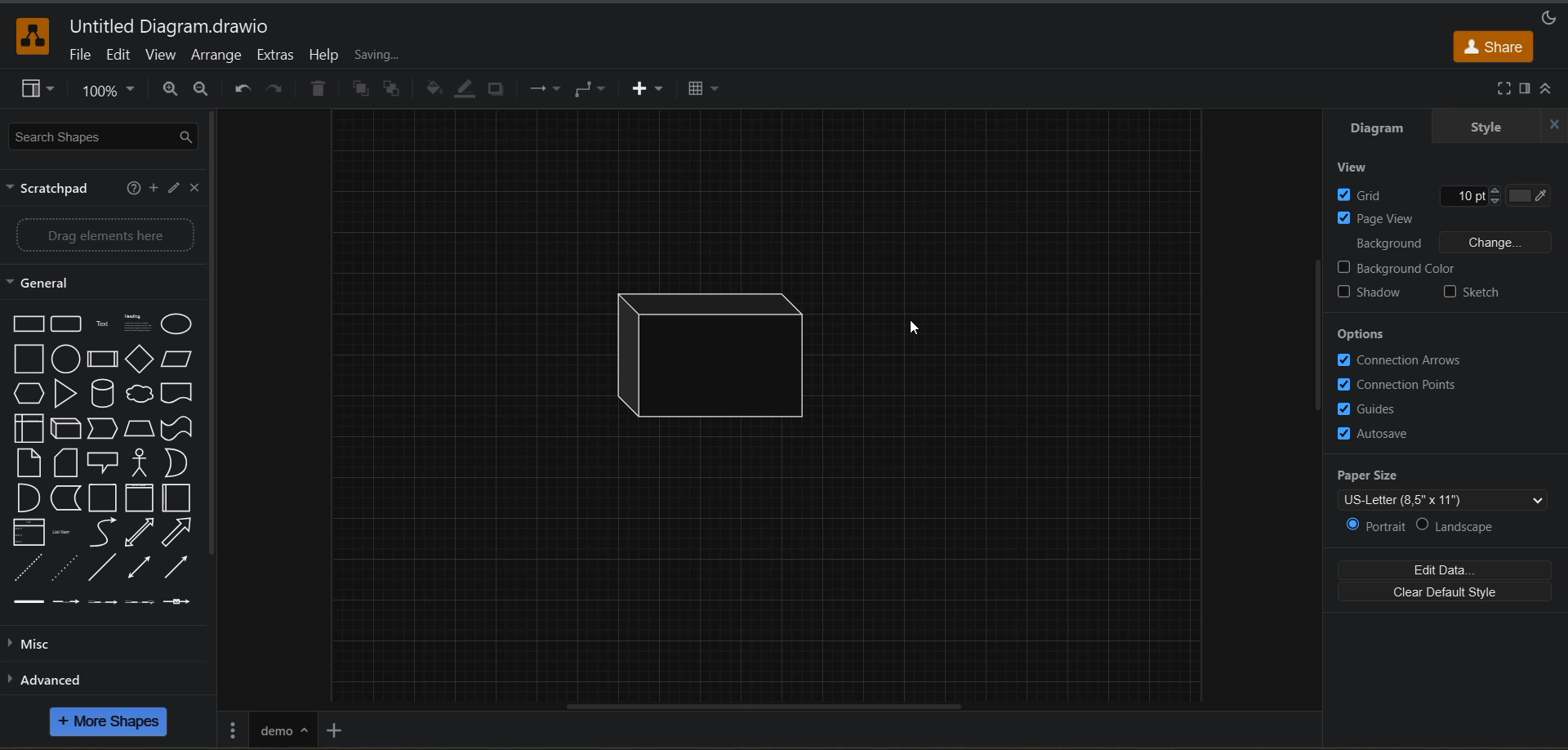 This screenshot has width=1568, height=750. I want to click on clear default style, so click(1445, 594).